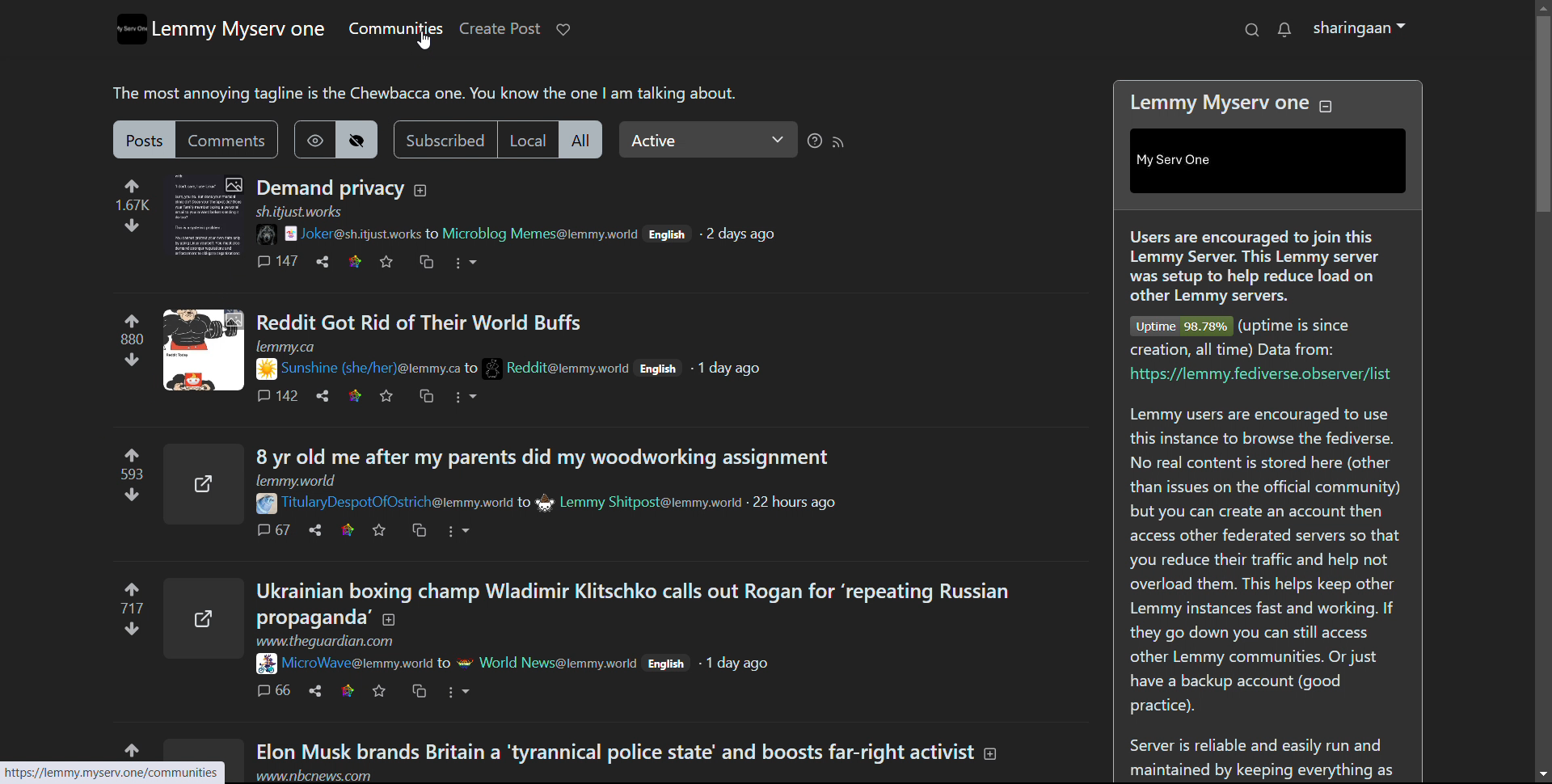 This screenshot has width=1552, height=784. I want to click on copy, so click(420, 529).